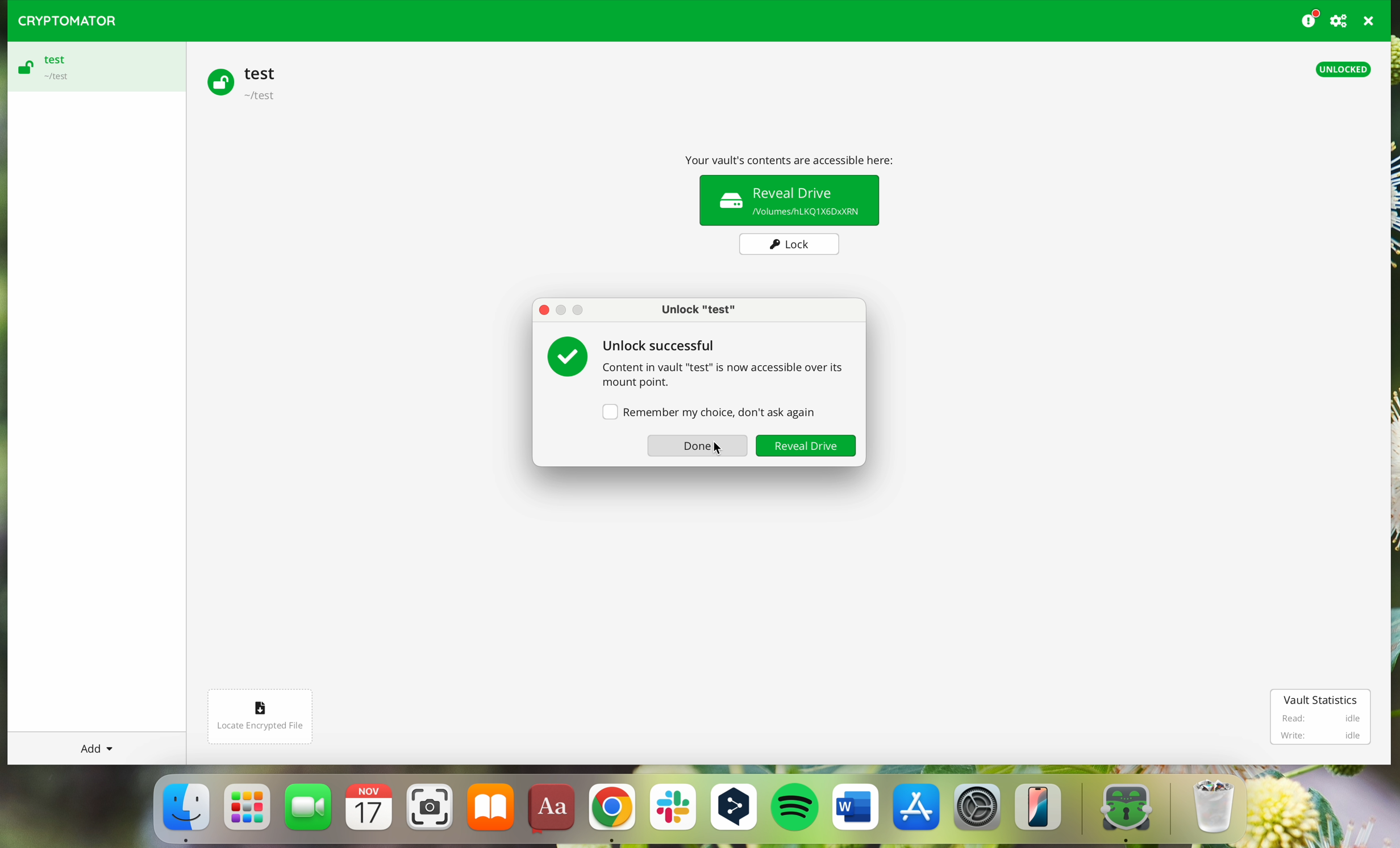  I want to click on settings, so click(978, 812).